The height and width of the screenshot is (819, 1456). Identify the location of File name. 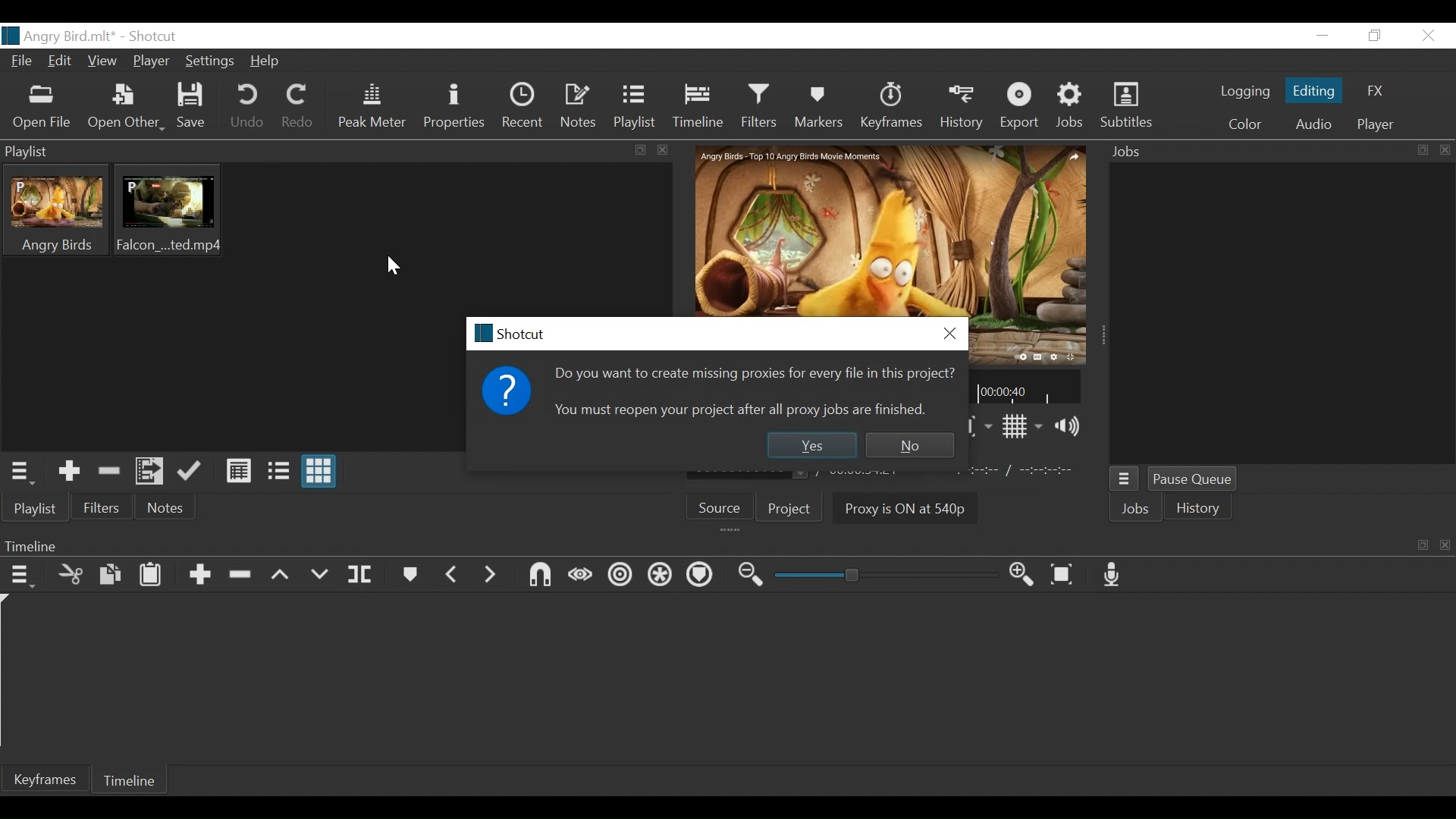
(62, 35).